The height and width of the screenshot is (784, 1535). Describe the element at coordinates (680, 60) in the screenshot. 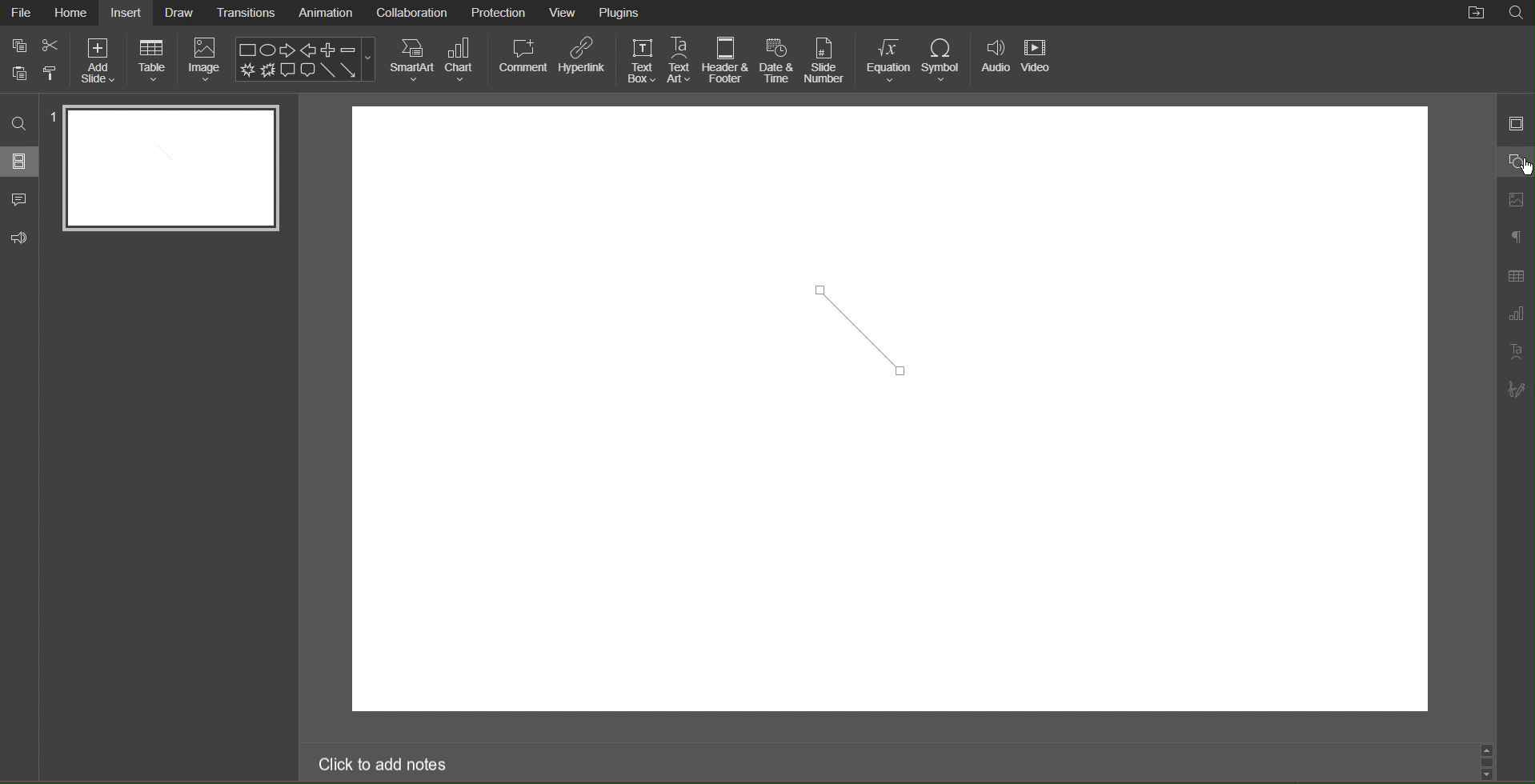

I see `Text Art` at that location.